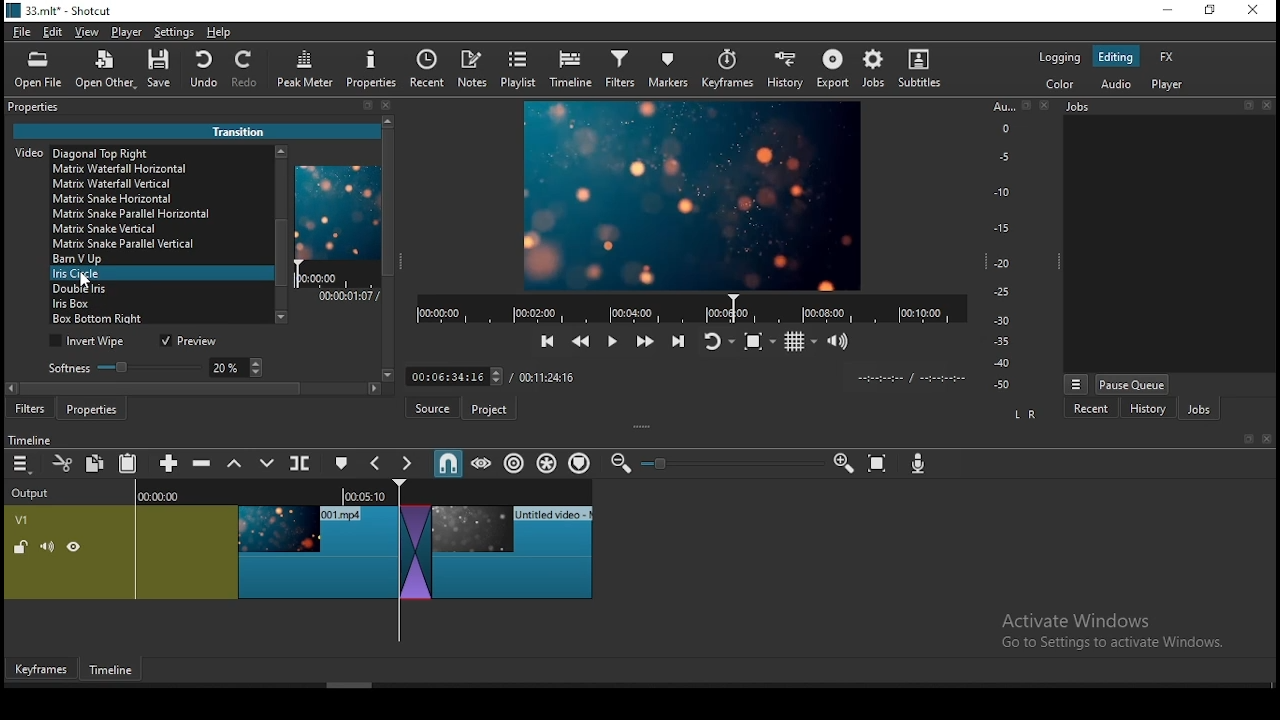 This screenshot has width=1280, height=720. What do you see at coordinates (152, 367) in the screenshot?
I see `softness` at bounding box center [152, 367].